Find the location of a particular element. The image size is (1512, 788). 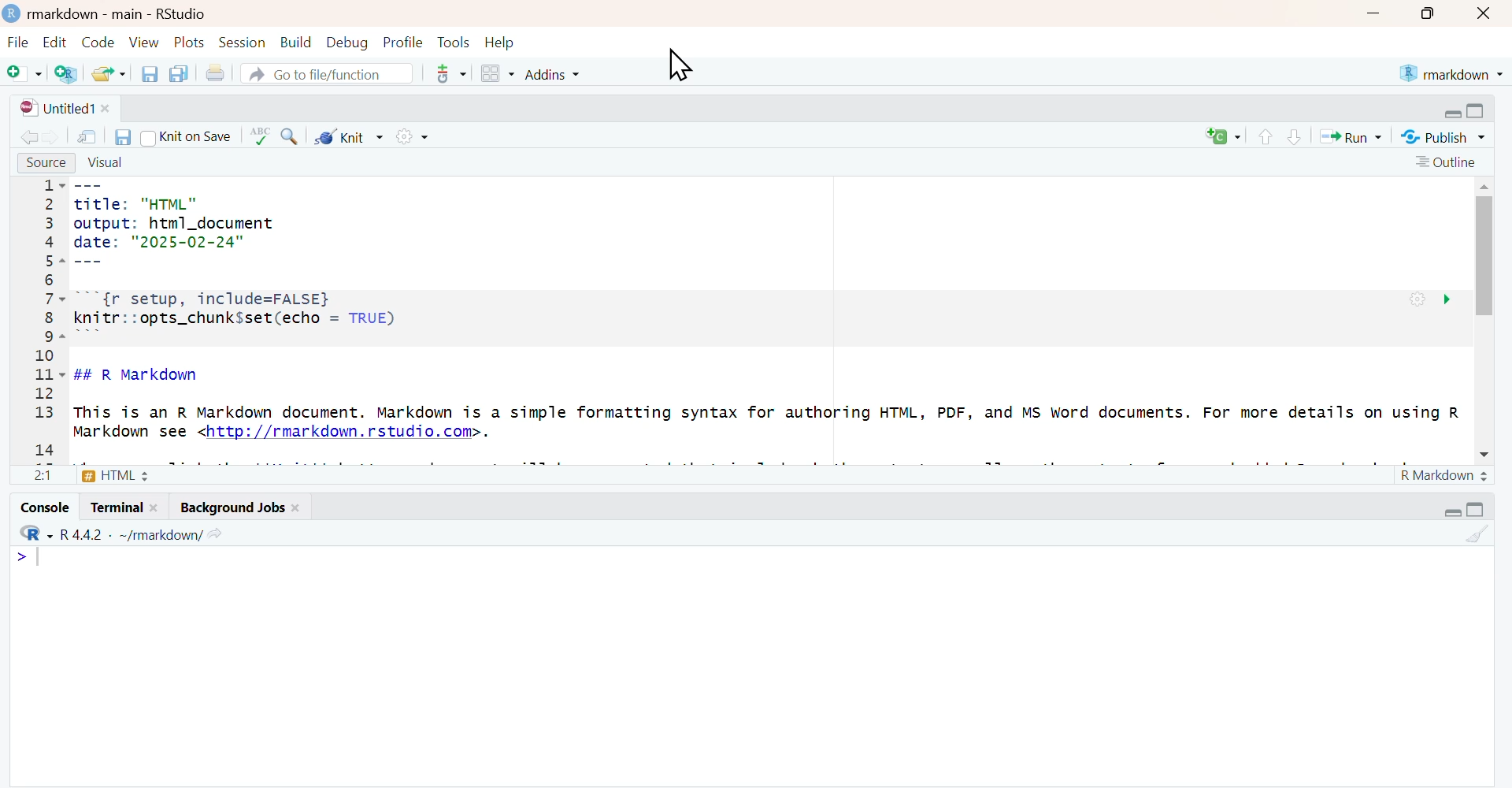

## R Markdown This is an R Markdown document. Markdown is a simple formatting syntax for authoring HTML, PDF, and MS Word documents. For more details on using R Markdown see <http://rmarkdown.rstudio.com>. is located at coordinates (769, 407).